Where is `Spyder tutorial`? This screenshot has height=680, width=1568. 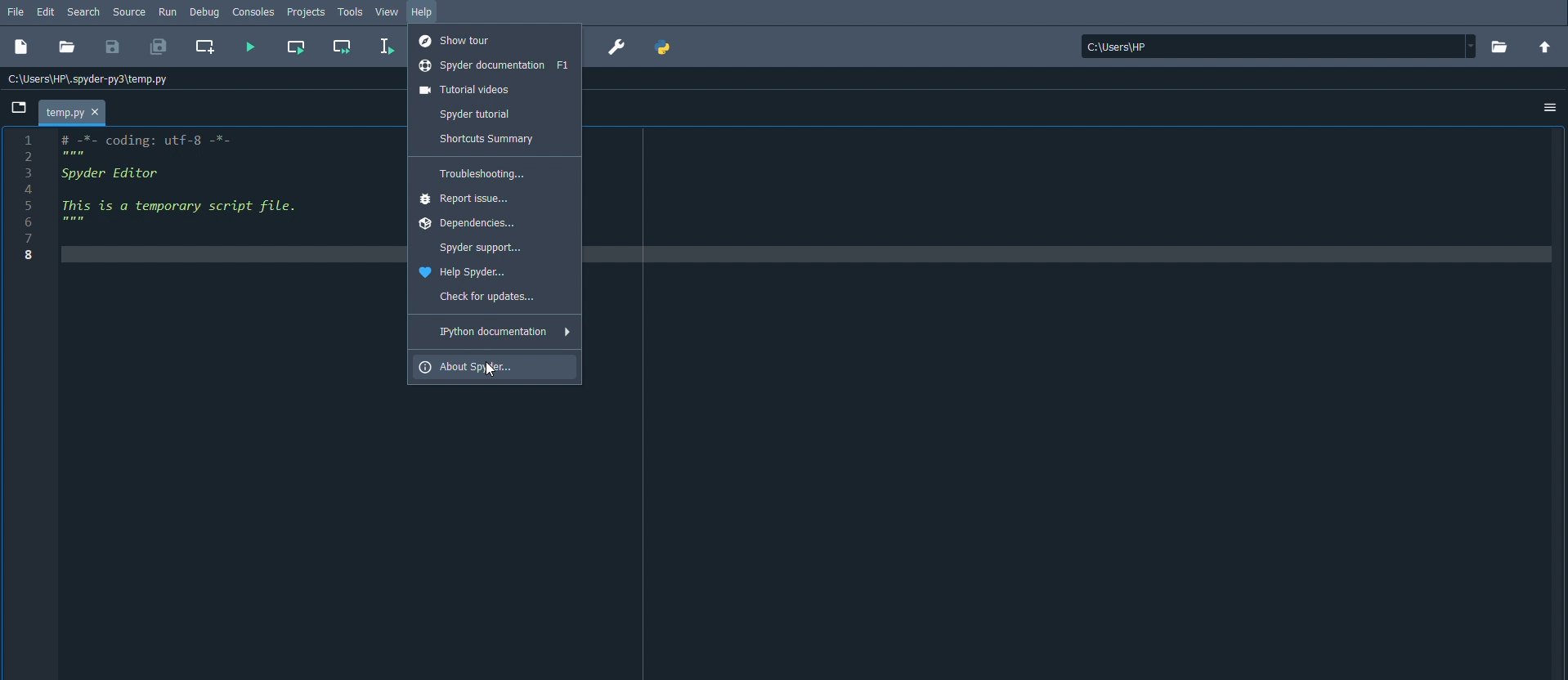 Spyder tutorial is located at coordinates (473, 114).